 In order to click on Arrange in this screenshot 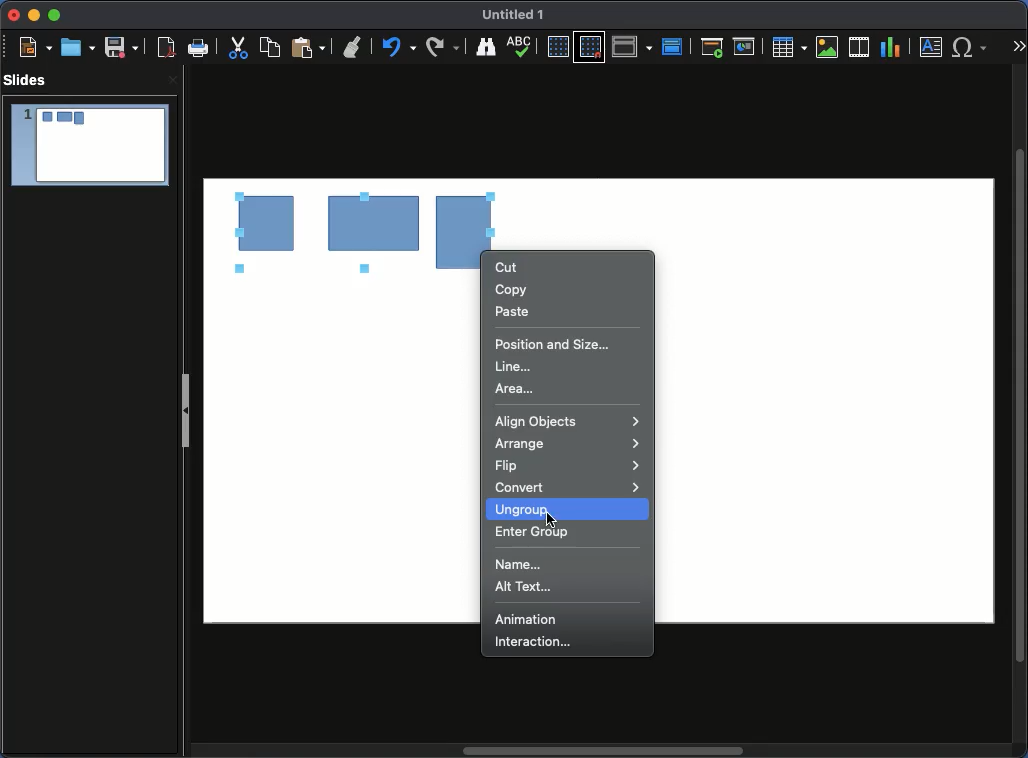, I will do `click(571, 444)`.